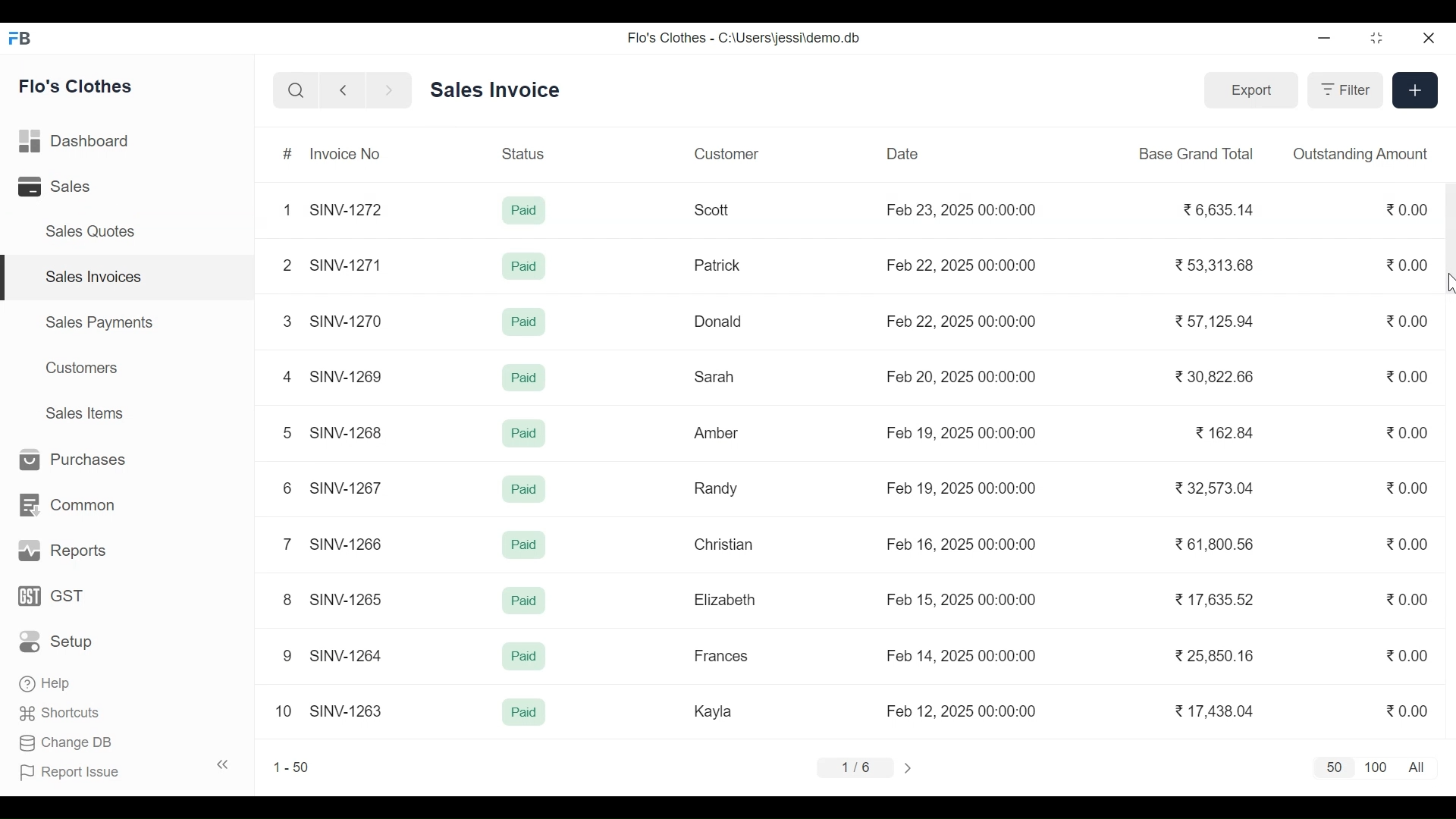 The image size is (1456, 819). I want to click on Paid, so click(526, 659).